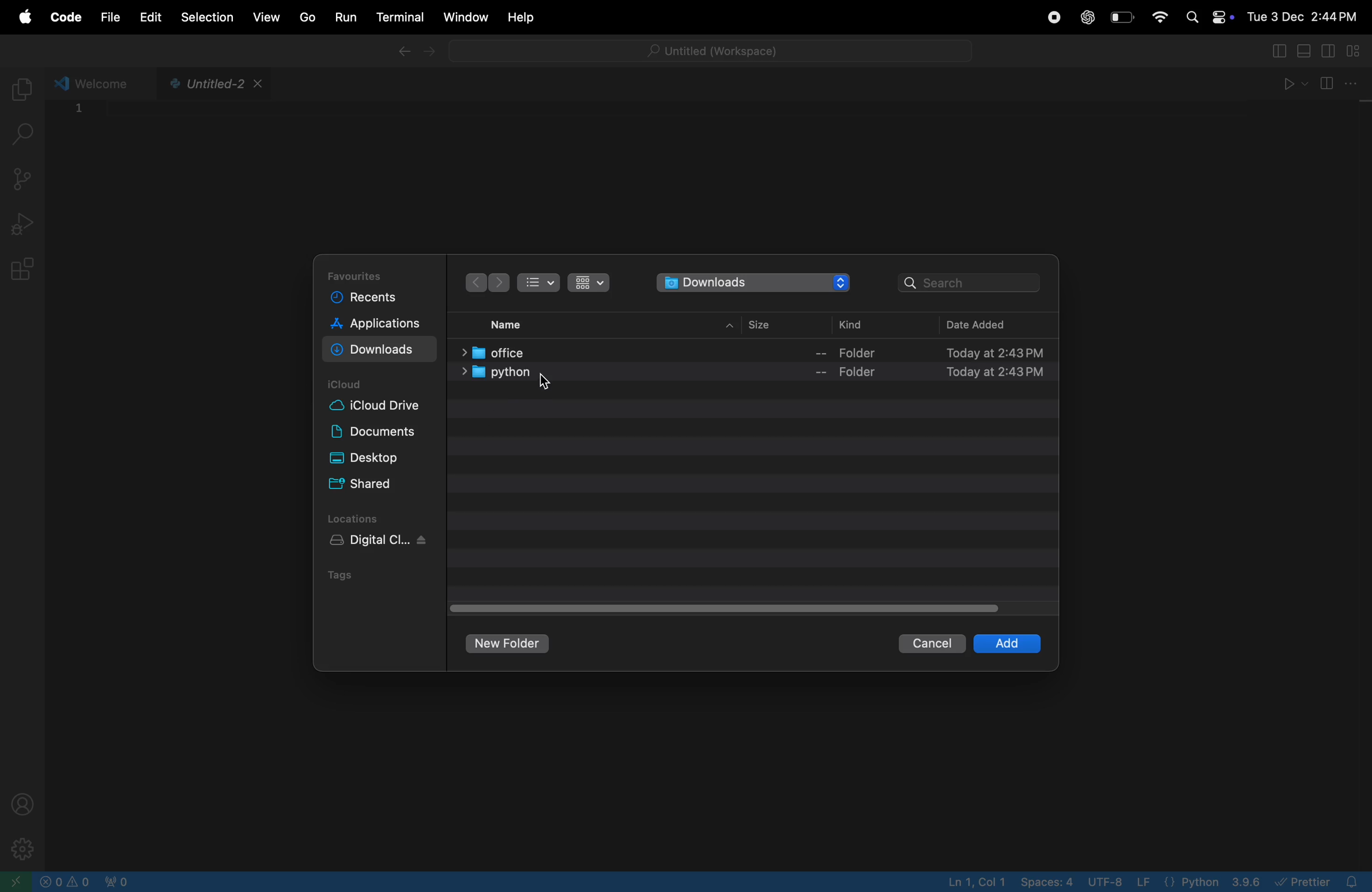 This screenshot has height=892, width=1372. What do you see at coordinates (1124, 17) in the screenshot?
I see `battery` at bounding box center [1124, 17].